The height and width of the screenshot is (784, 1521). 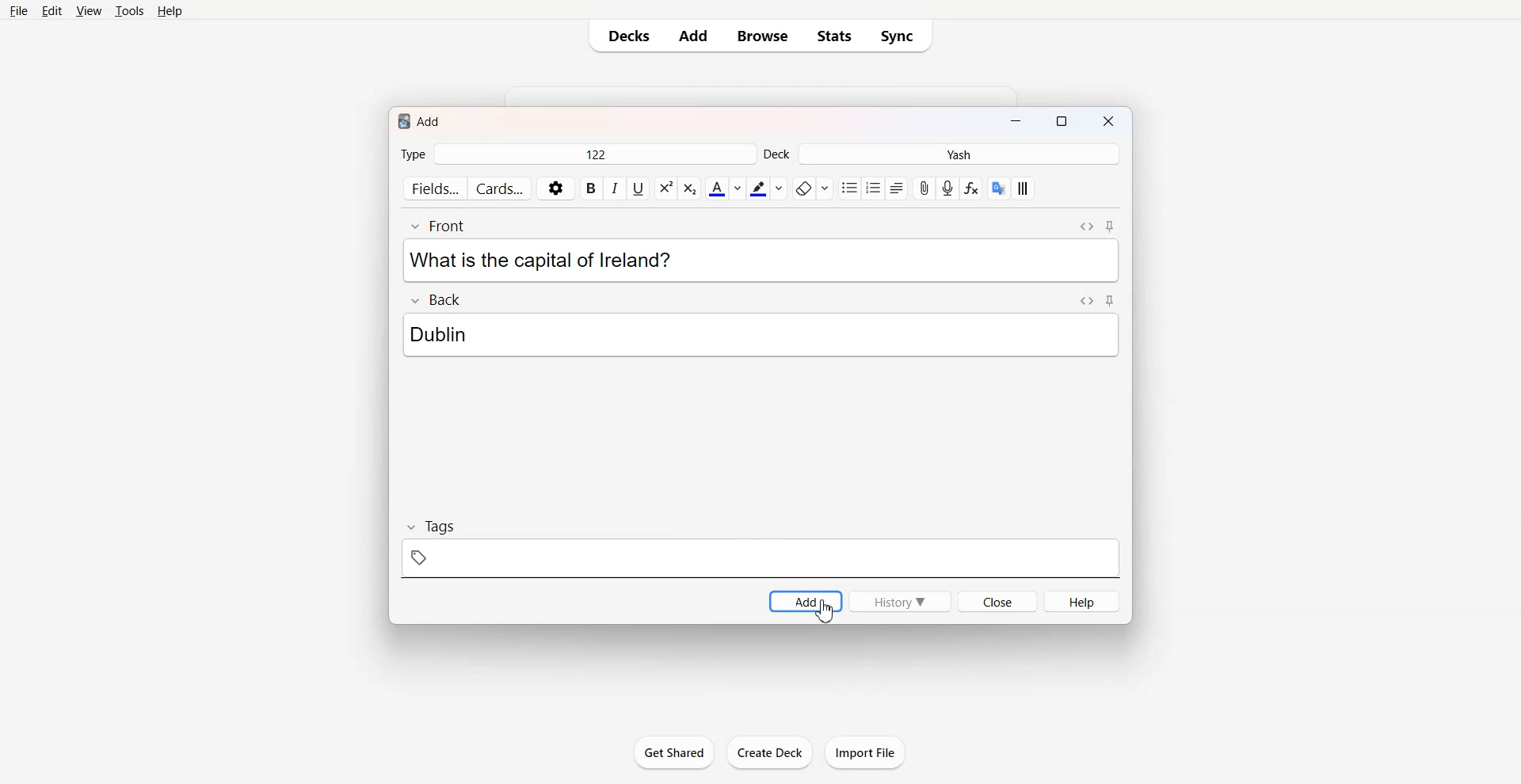 What do you see at coordinates (999, 188) in the screenshot?
I see `Google Translate` at bounding box center [999, 188].